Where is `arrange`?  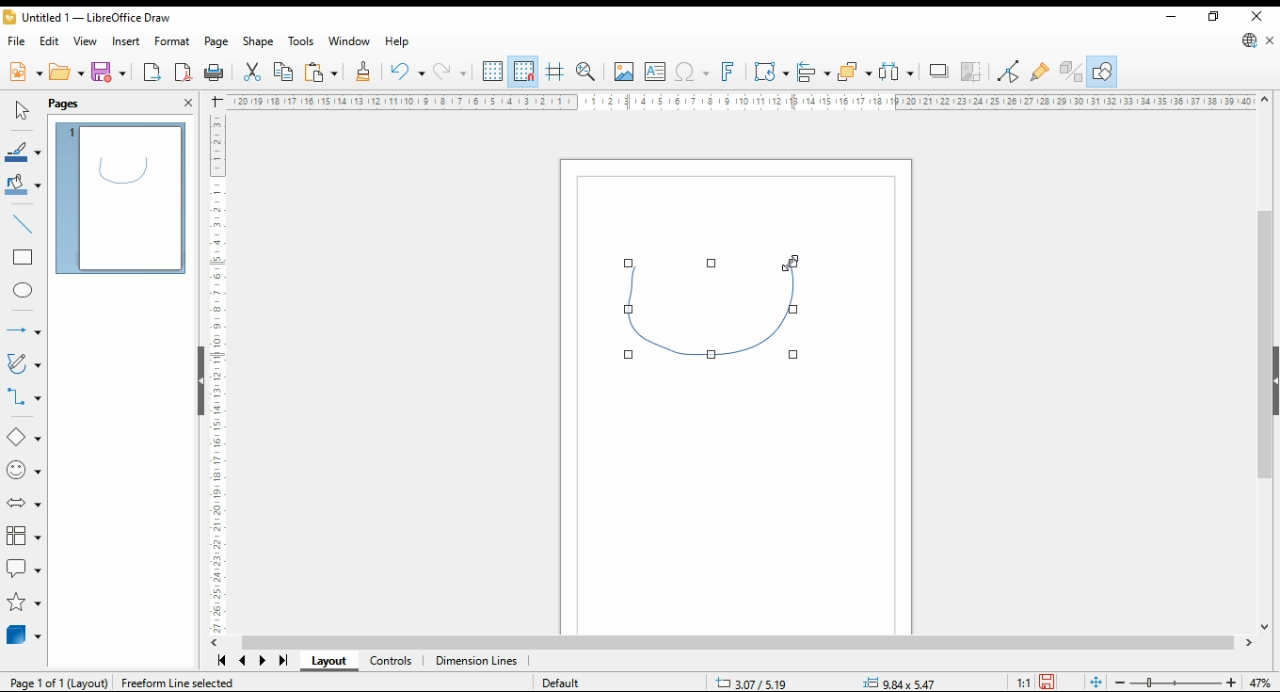
arrange is located at coordinates (854, 71).